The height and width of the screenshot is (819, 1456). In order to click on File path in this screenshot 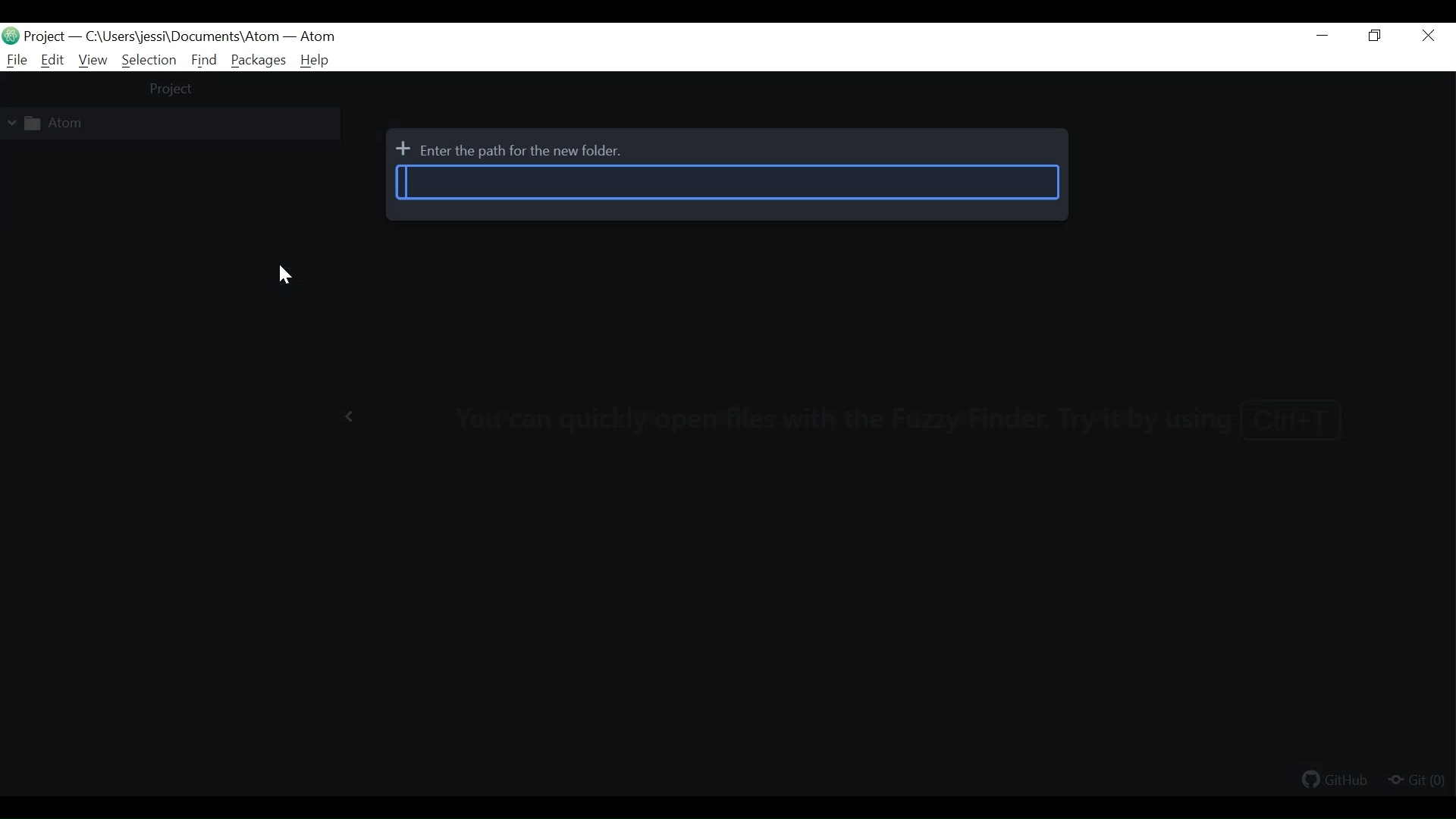, I will do `click(179, 37)`.